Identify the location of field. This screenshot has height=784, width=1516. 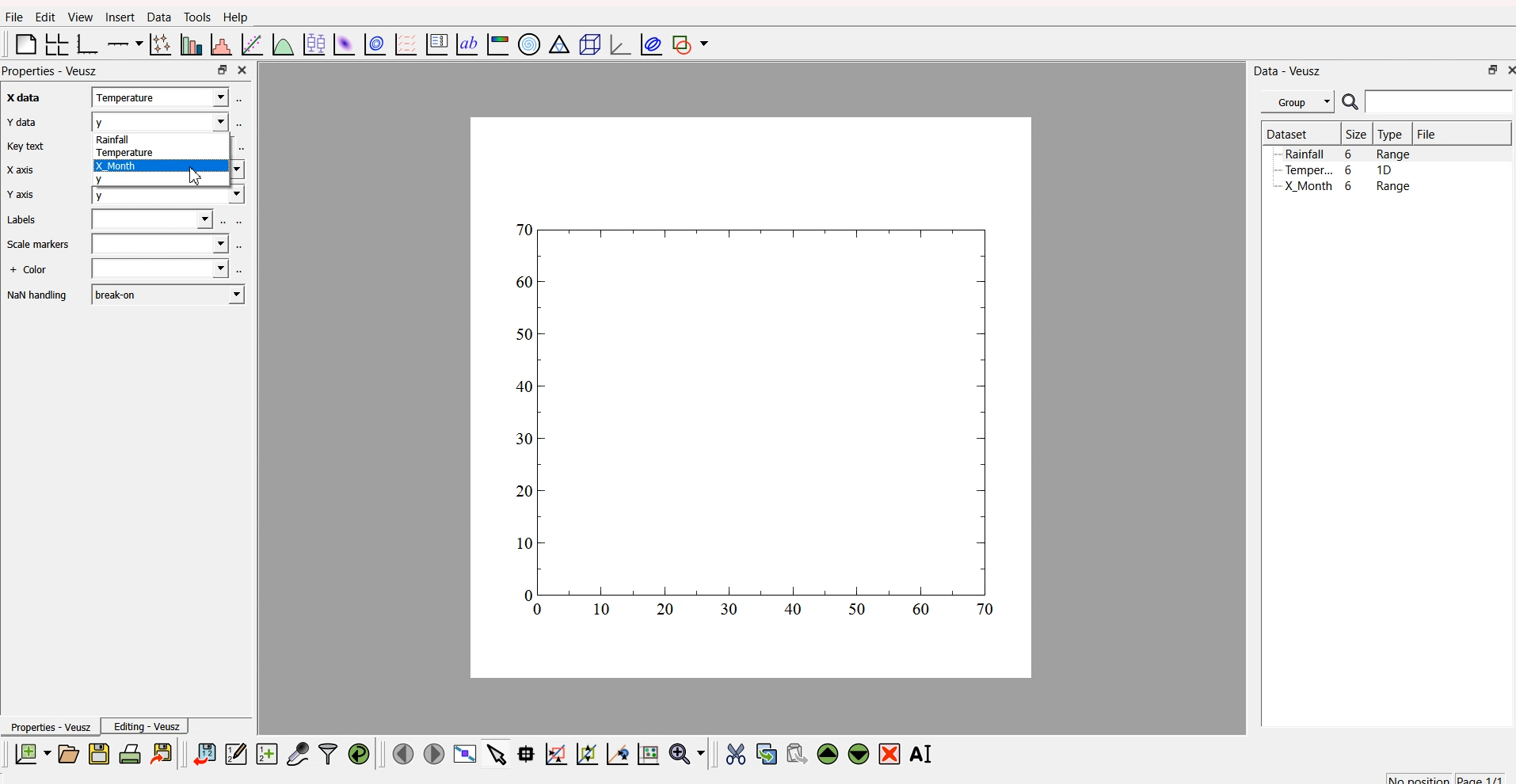
(163, 244).